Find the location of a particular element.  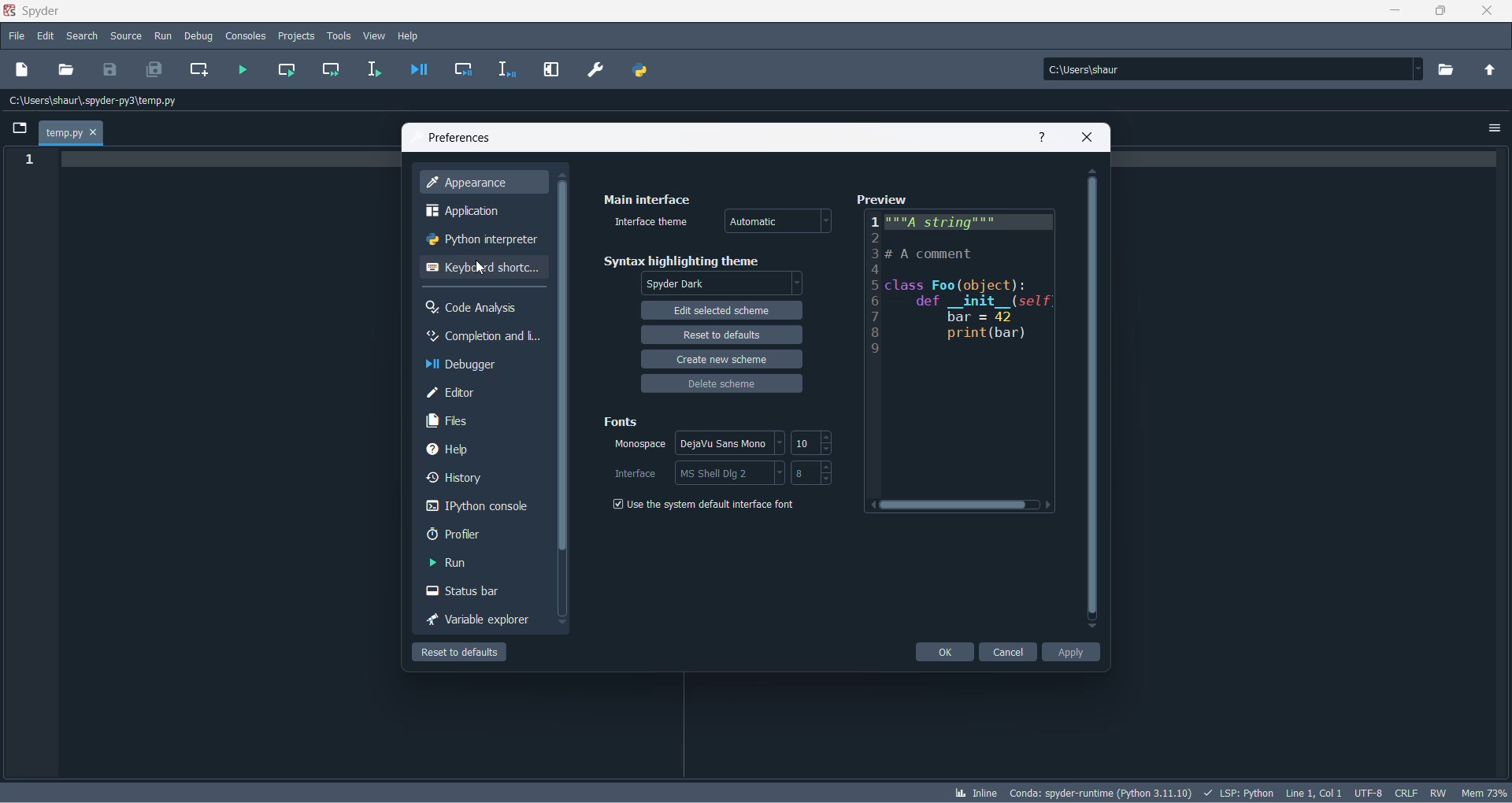

scrollbar is located at coordinates (561, 371).